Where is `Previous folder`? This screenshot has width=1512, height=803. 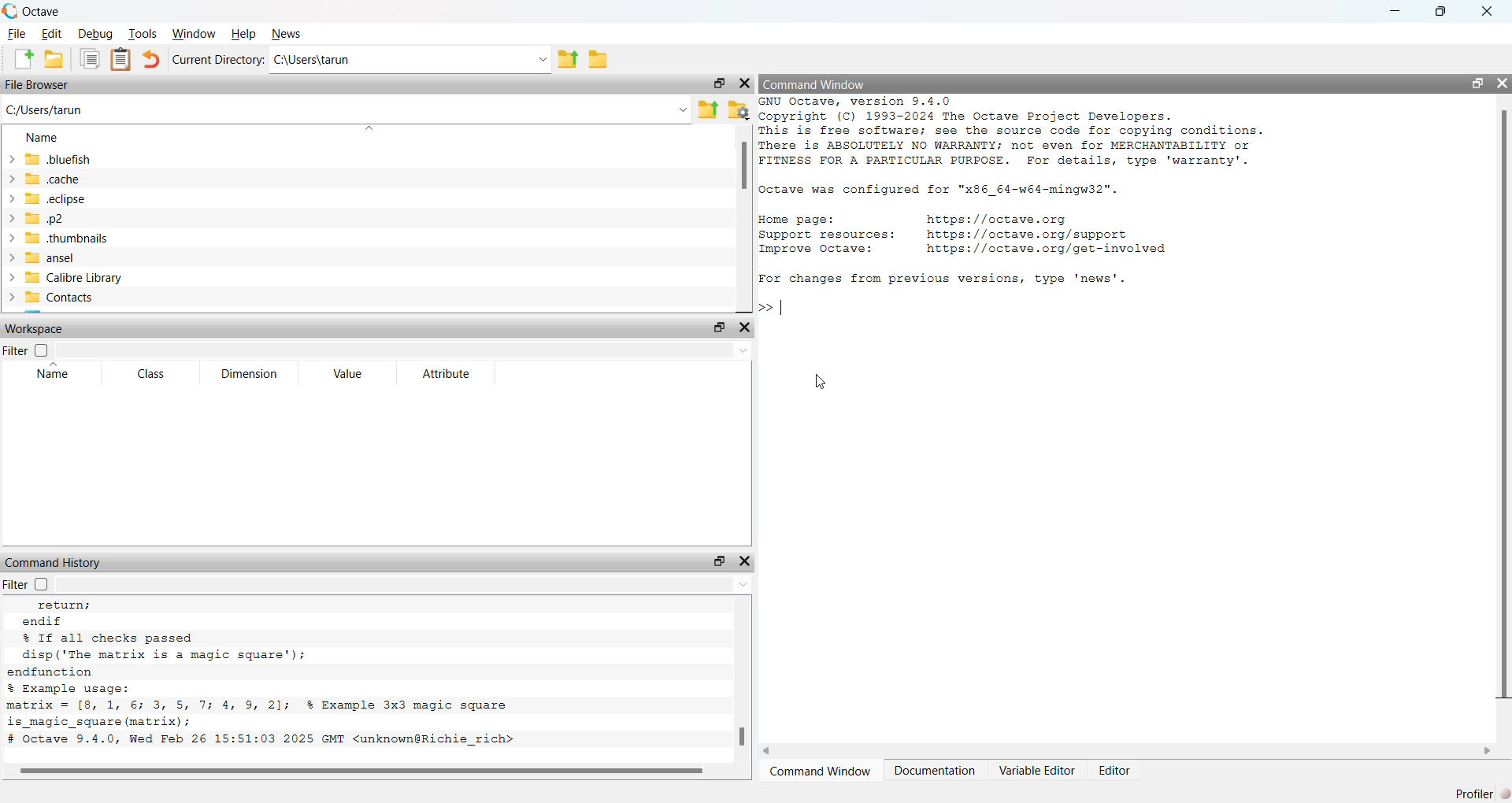 Previous folder is located at coordinates (568, 61).